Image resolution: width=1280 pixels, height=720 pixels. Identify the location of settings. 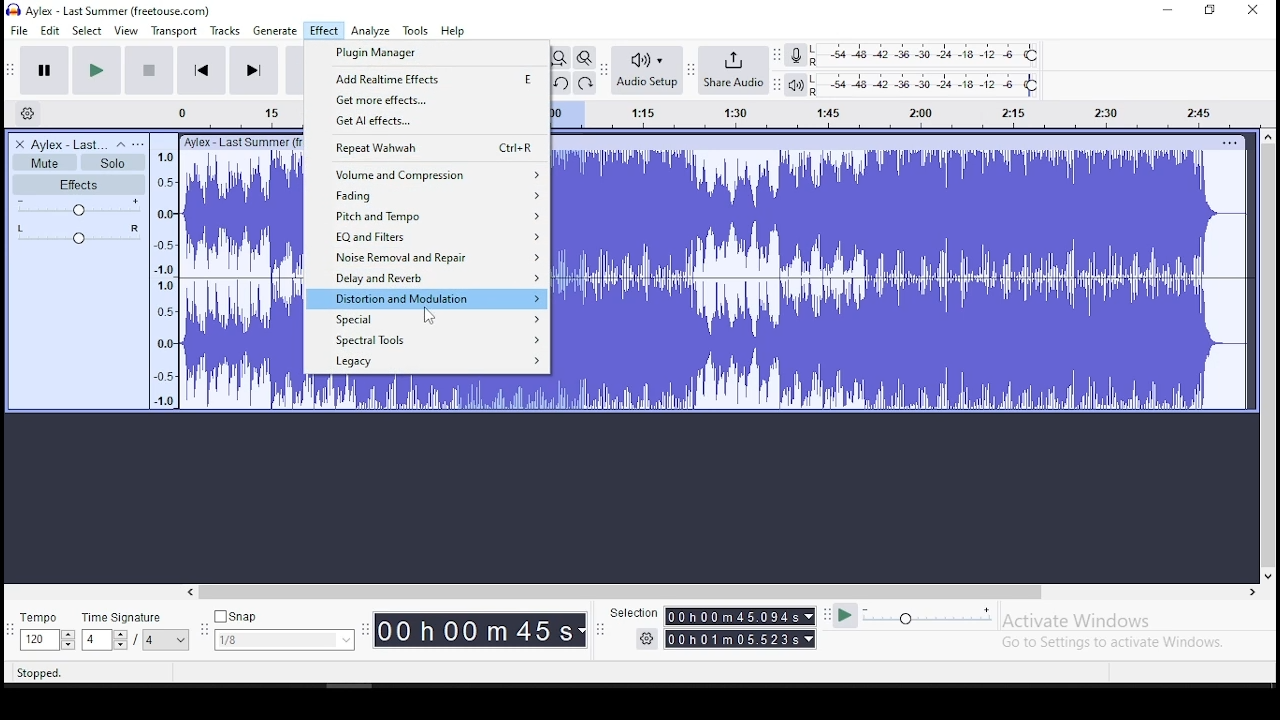
(635, 639).